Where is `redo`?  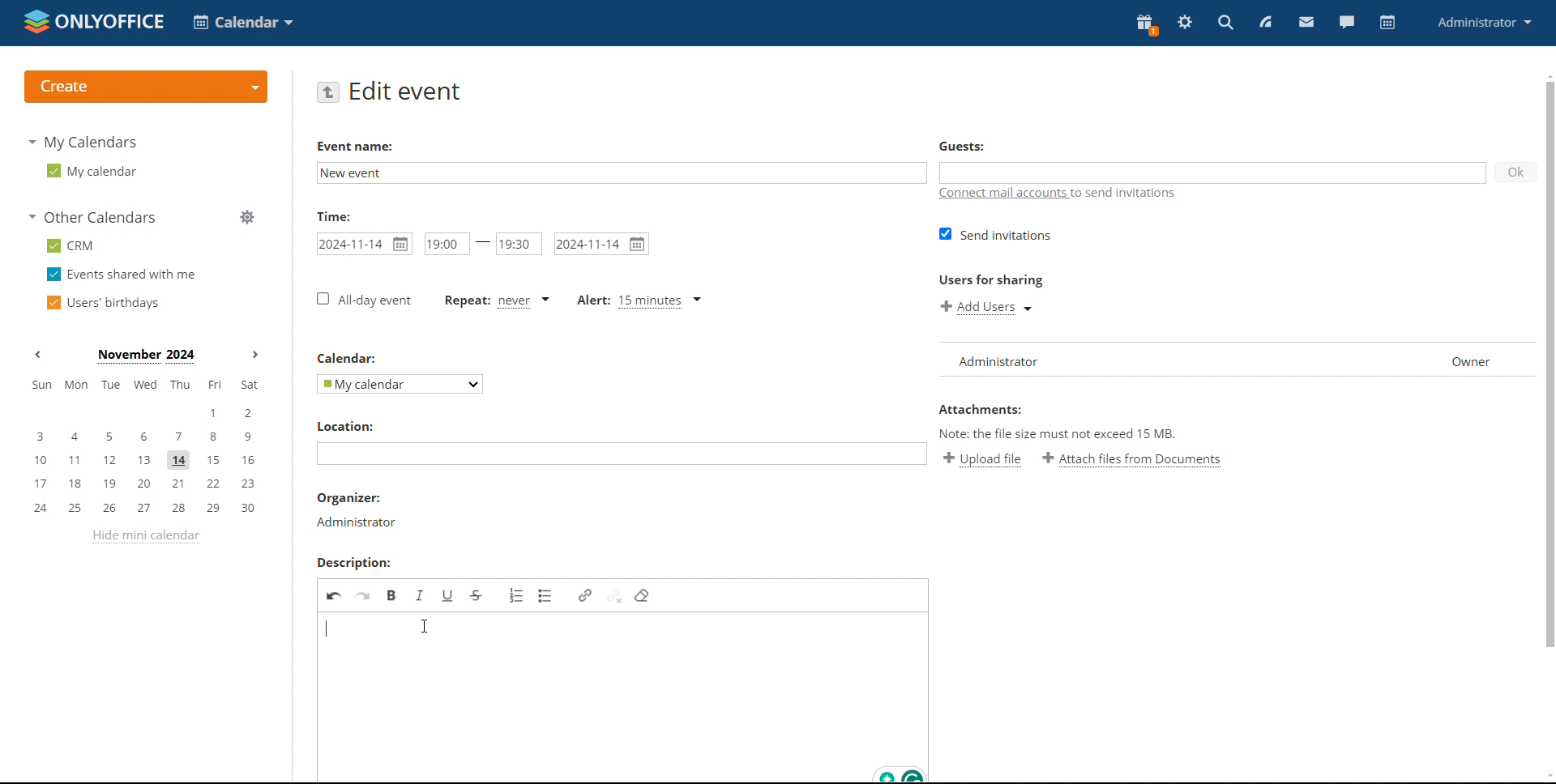
redo is located at coordinates (362, 594).